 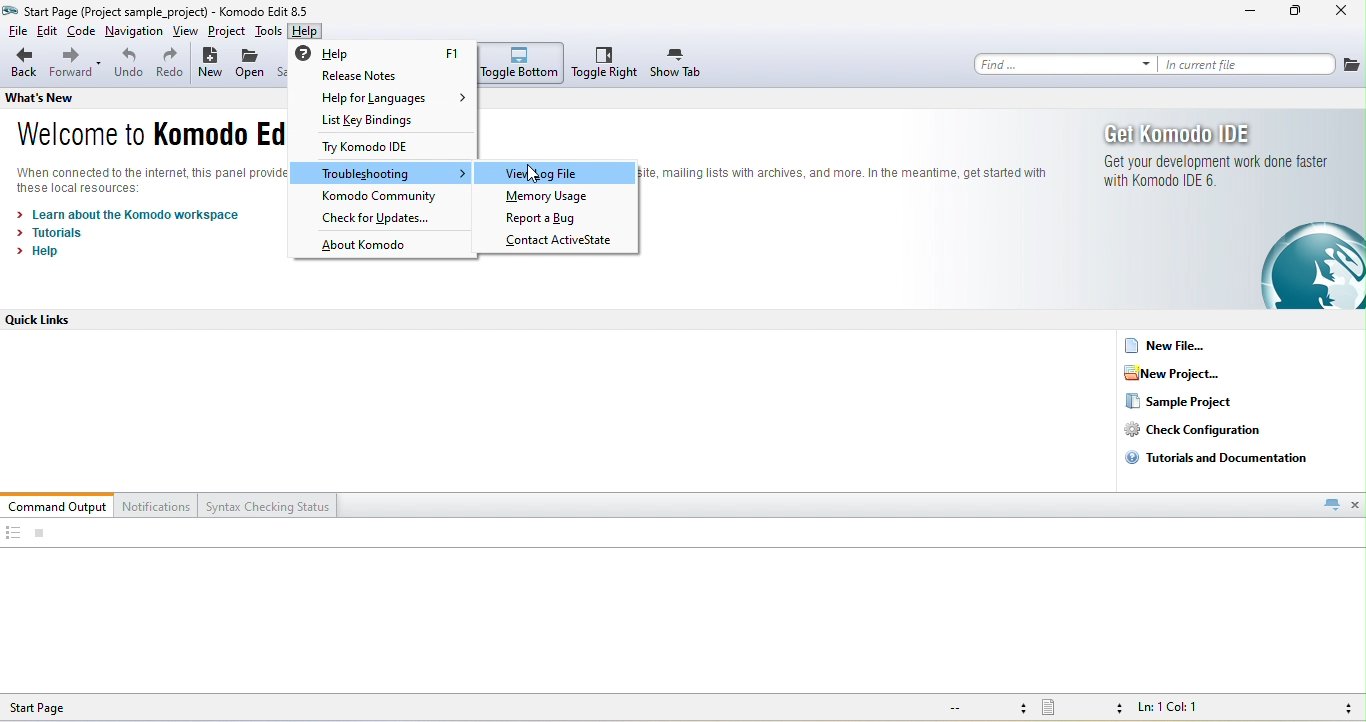 I want to click on sample project, so click(x=1180, y=402).